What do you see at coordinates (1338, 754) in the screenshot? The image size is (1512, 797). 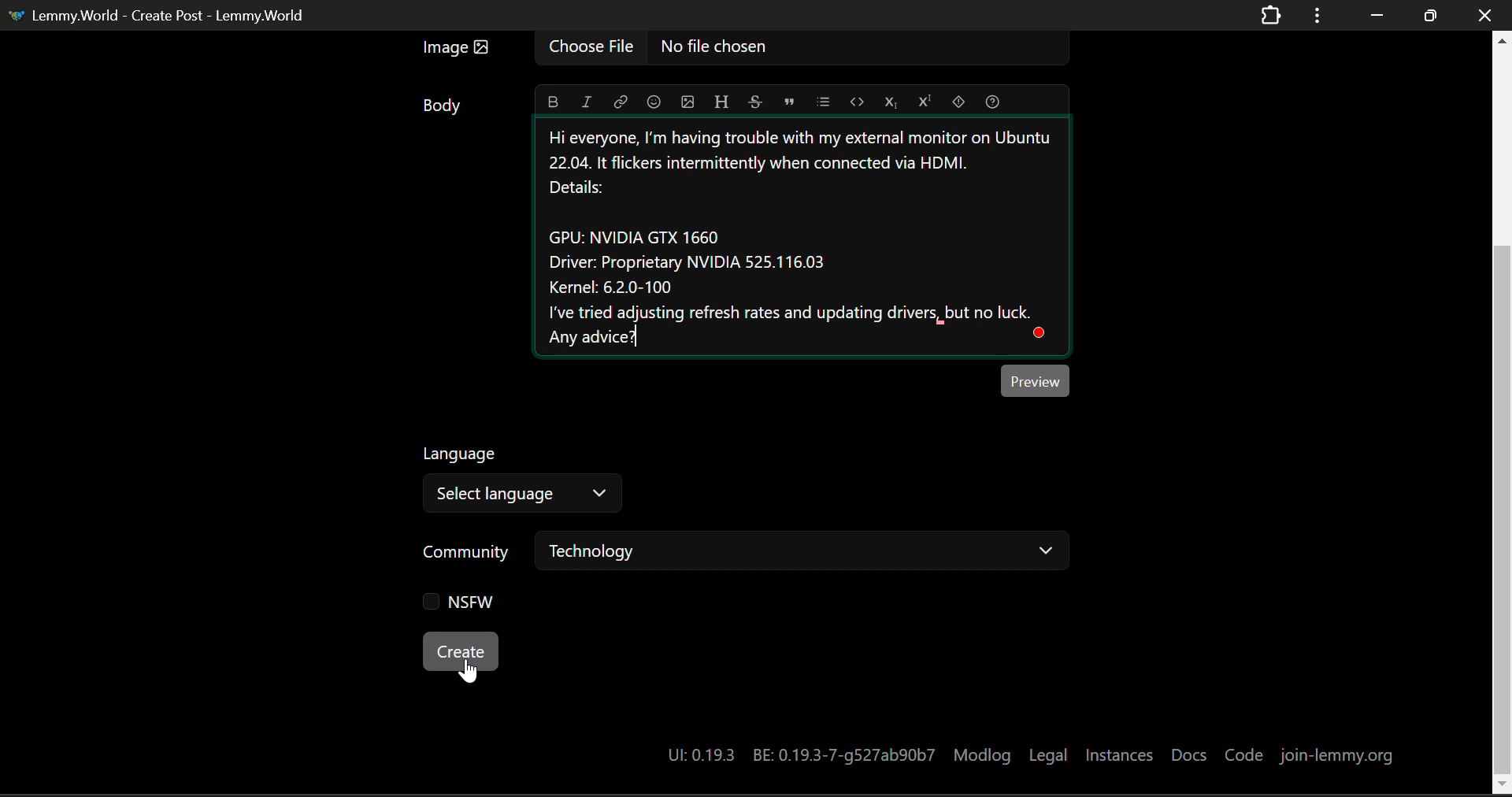 I see `join-lemmy.org` at bounding box center [1338, 754].